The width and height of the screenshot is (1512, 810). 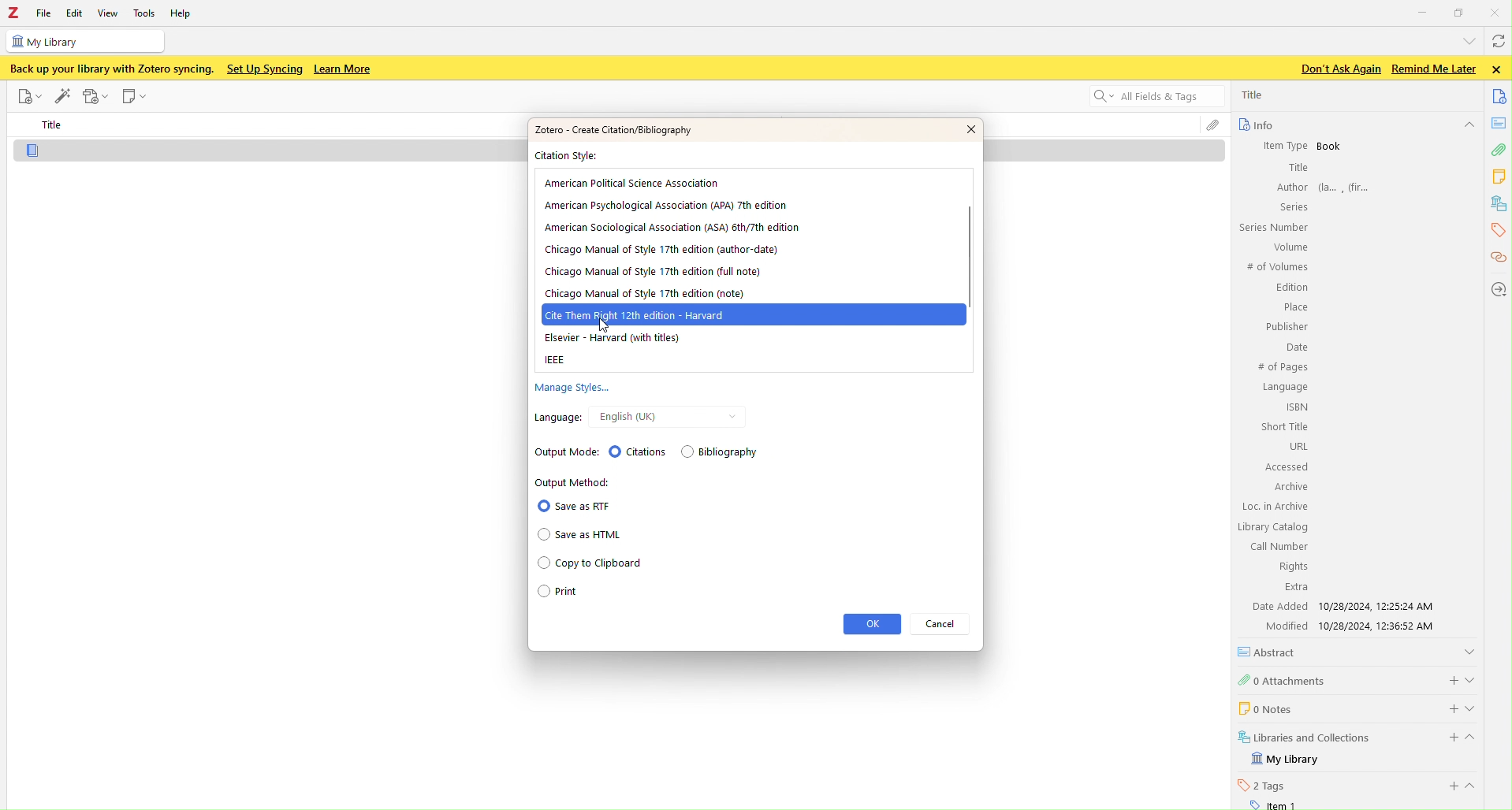 I want to click on Chicago Manual of Style 17th edition (note), so click(x=643, y=294).